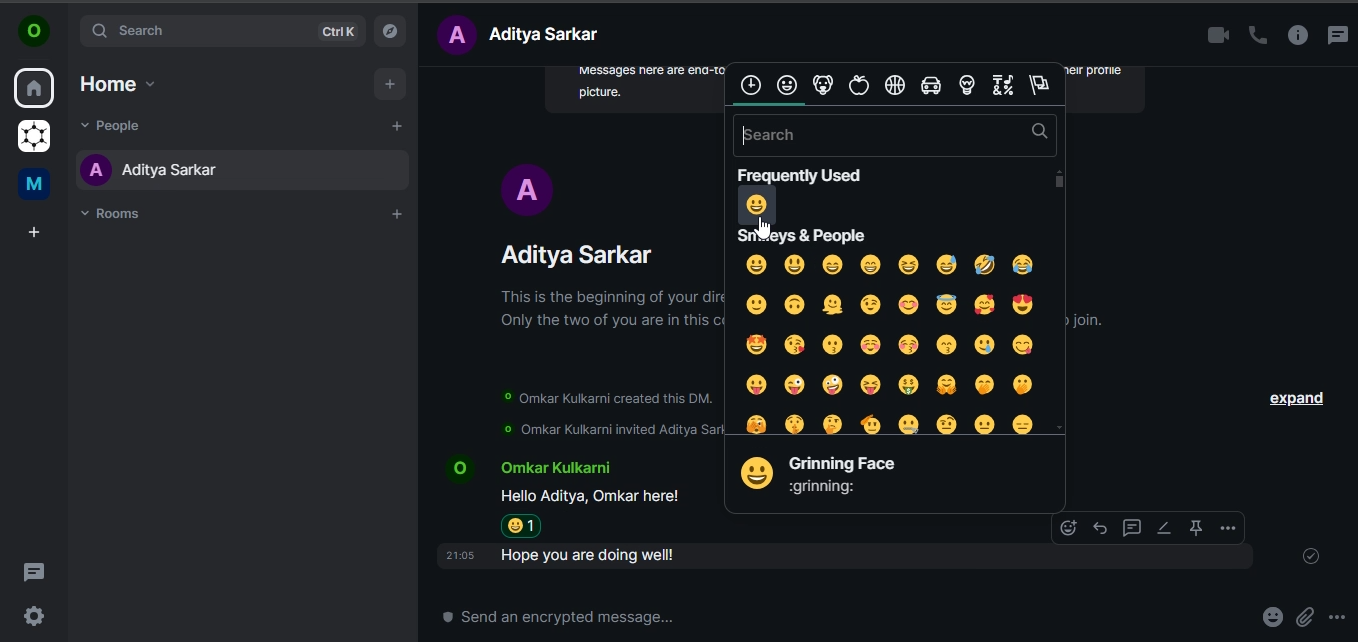 The image size is (1358, 642). Describe the element at coordinates (35, 90) in the screenshot. I see `home` at that location.